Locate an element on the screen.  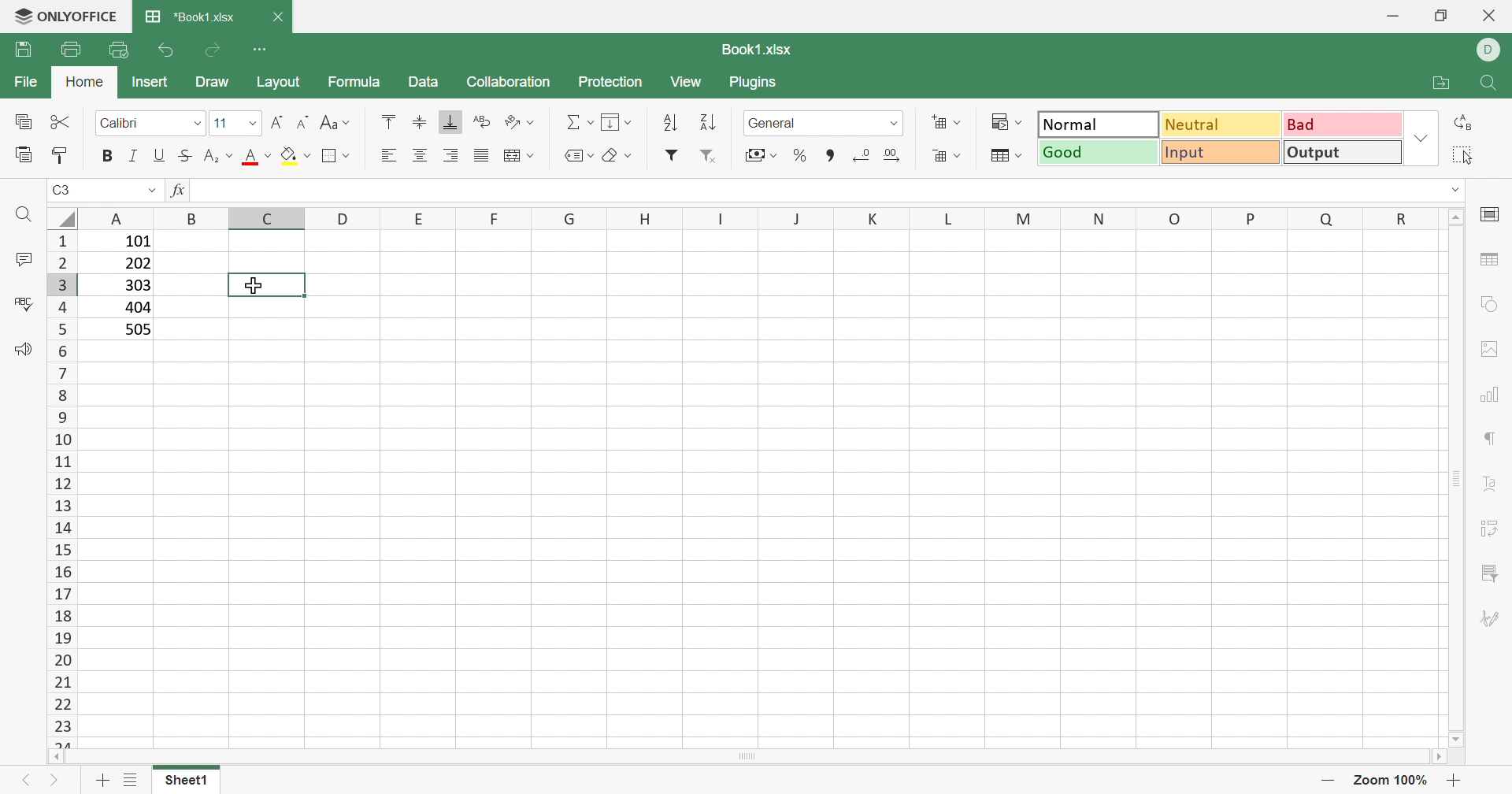
Zoom in is located at coordinates (1456, 780).